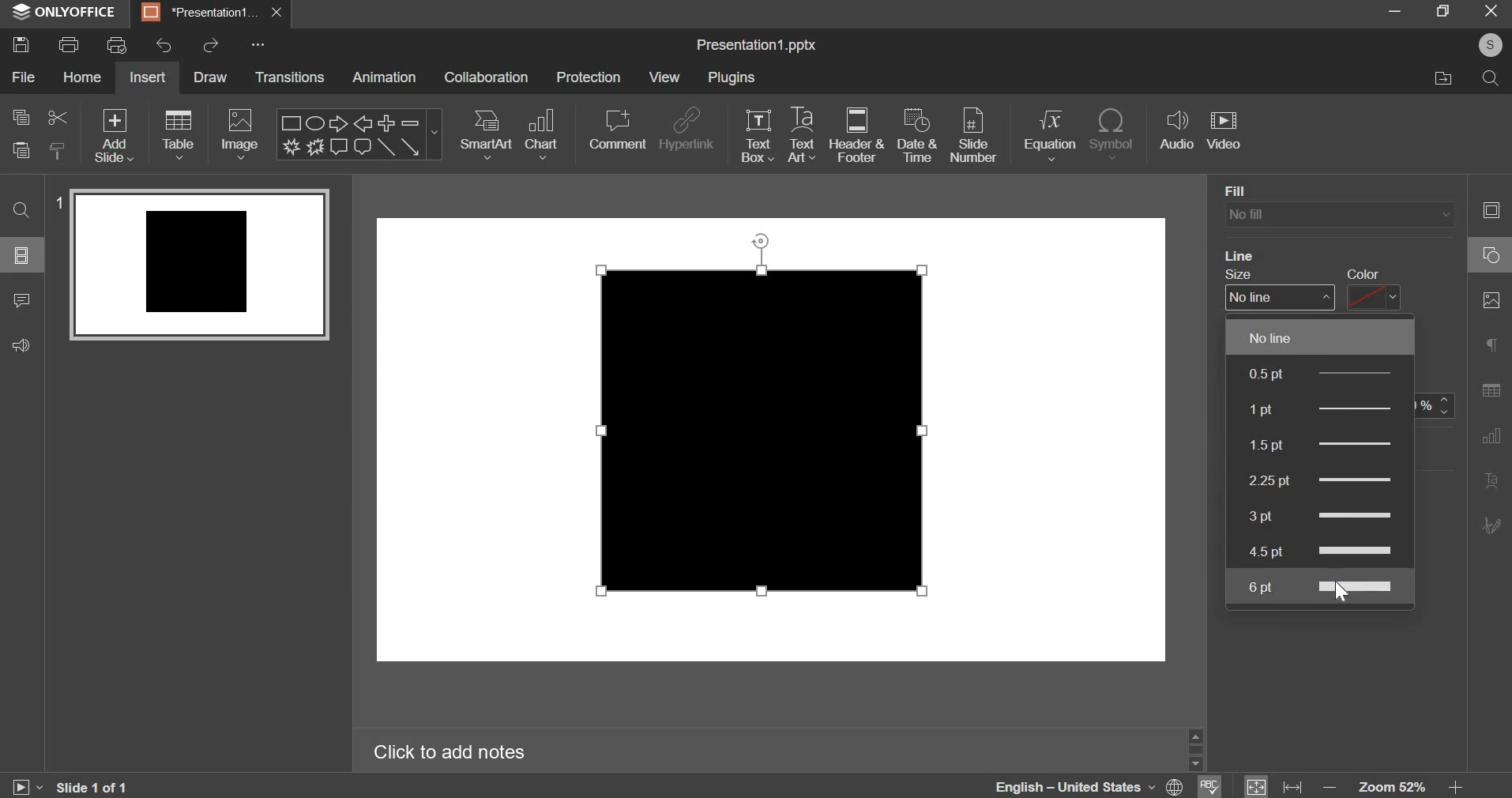  I want to click on 3pt, so click(1324, 518).